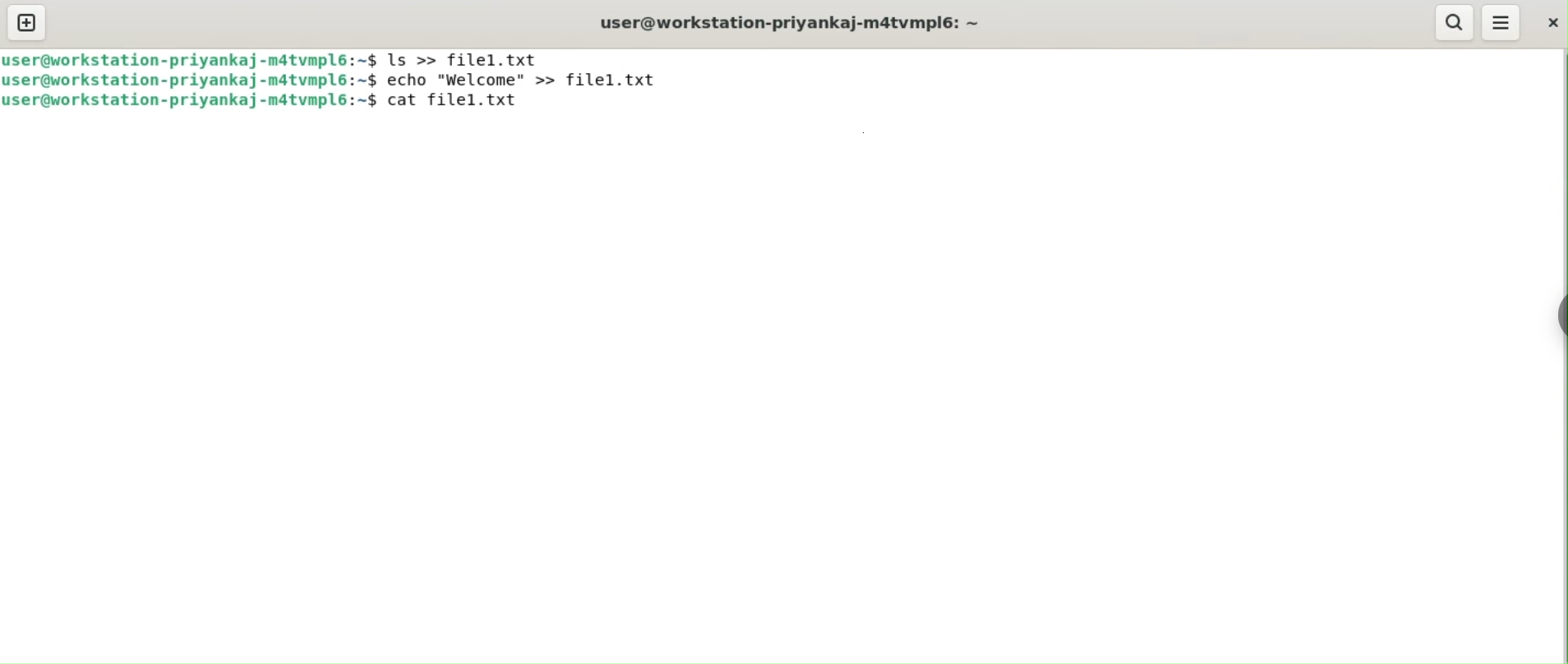 This screenshot has width=1568, height=664. I want to click on user@workstation-priyankaj-m4tvmpl6: ~, so click(791, 22).